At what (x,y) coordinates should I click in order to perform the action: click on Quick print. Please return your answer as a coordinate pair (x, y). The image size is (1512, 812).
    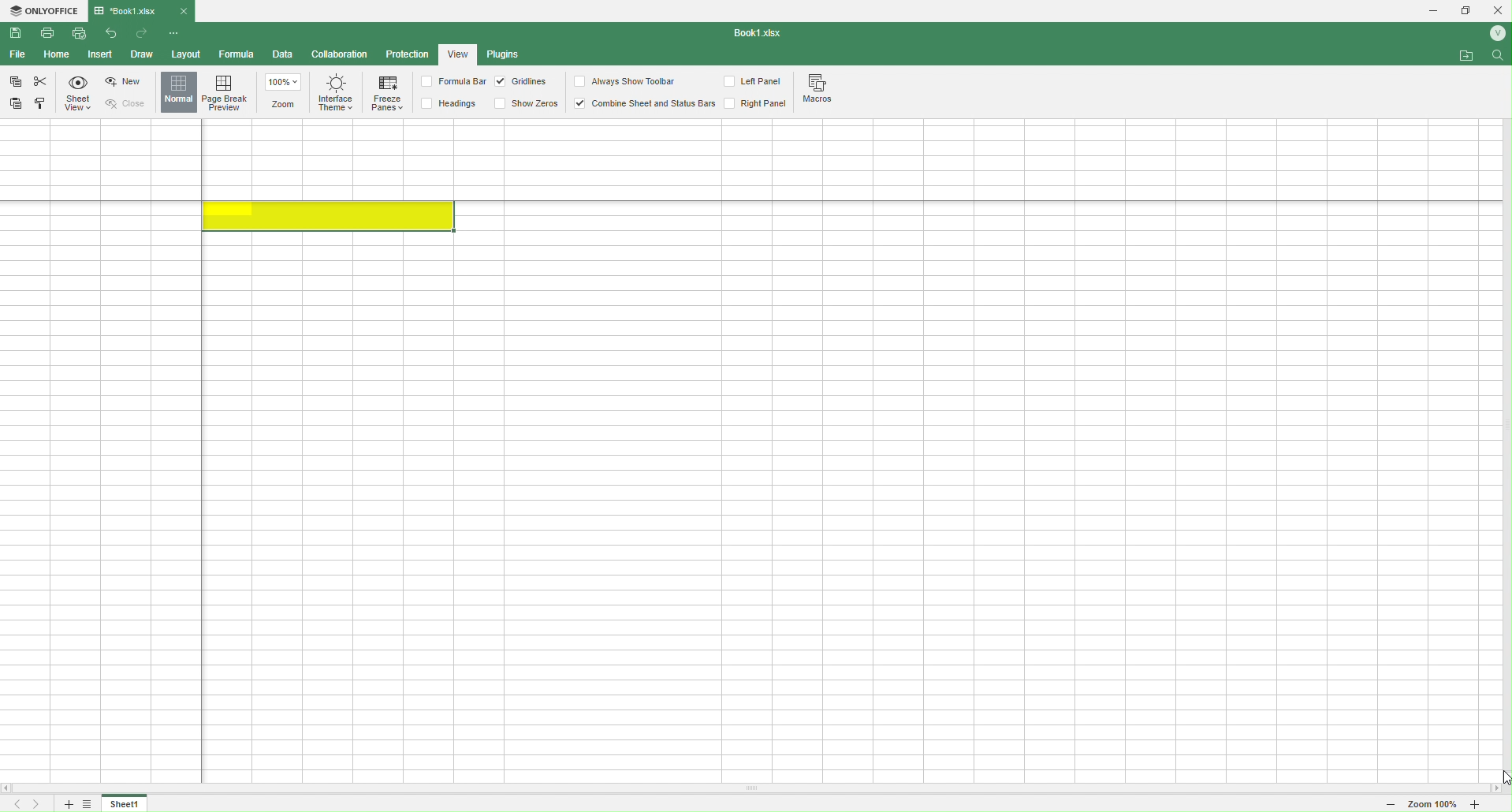
    Looking at the image, I should click on (78, 33).